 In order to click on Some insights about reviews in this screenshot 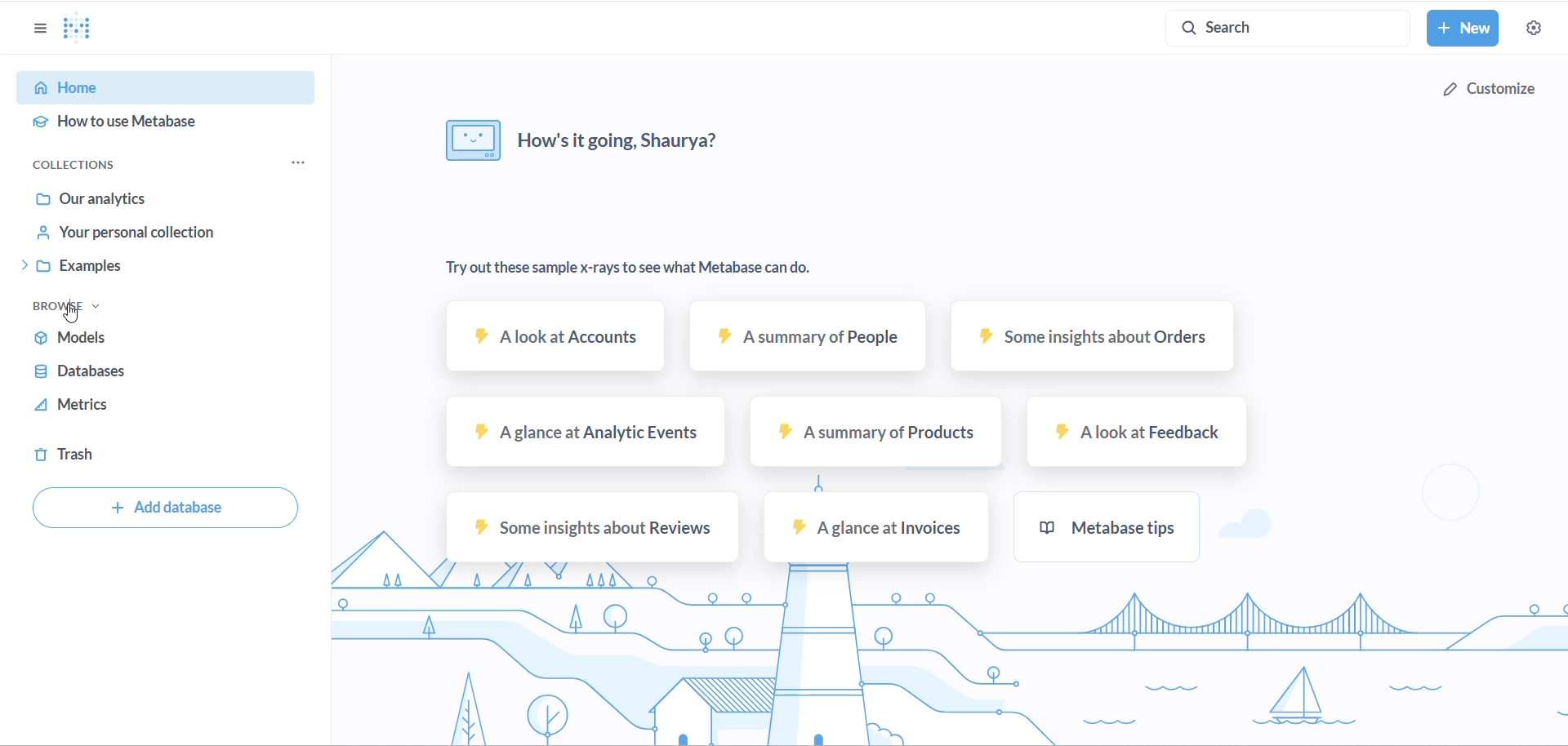, I will do `click(591, 534)`.